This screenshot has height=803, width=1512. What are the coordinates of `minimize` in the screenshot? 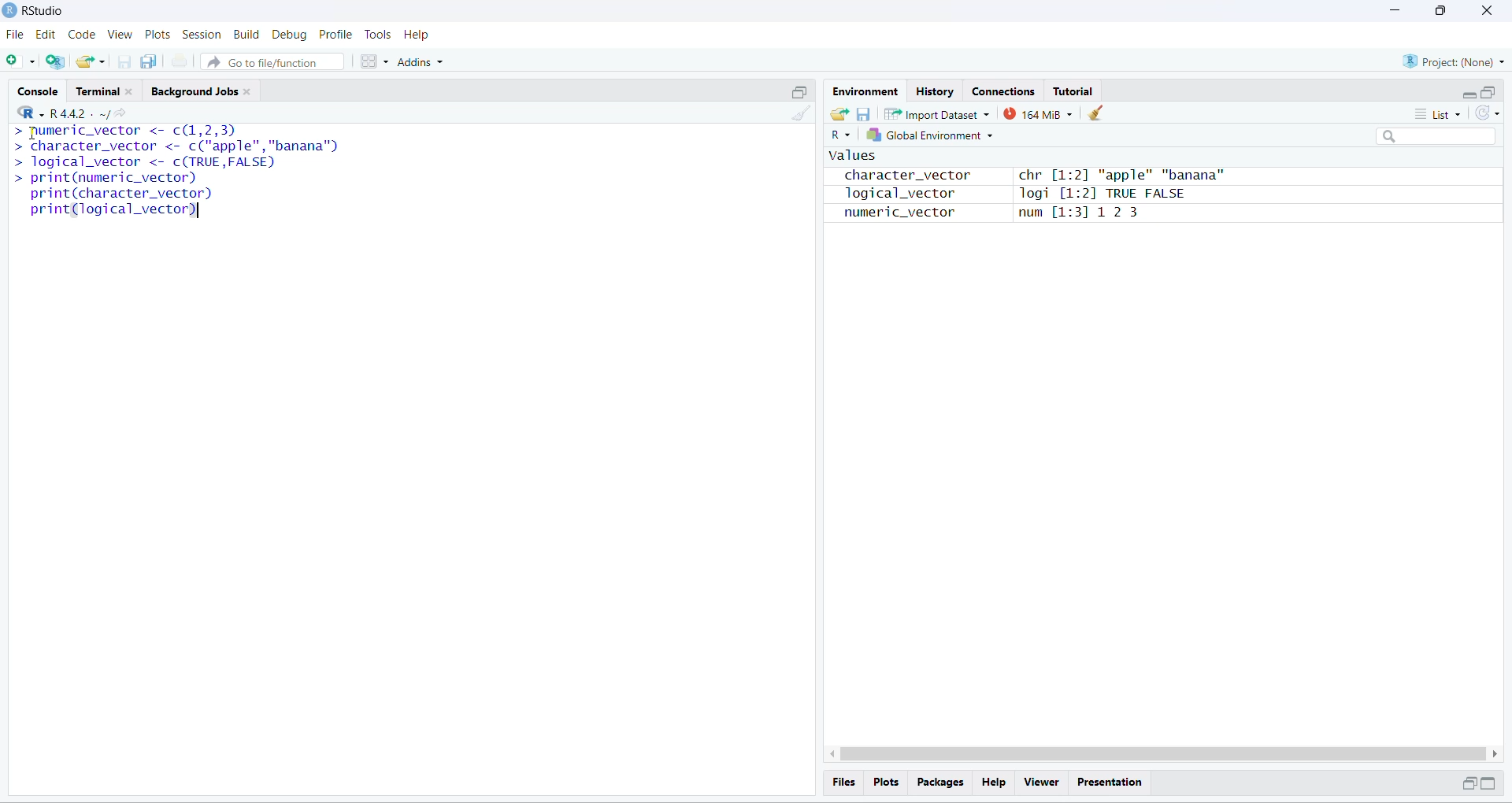 It's located at (1469, 96).